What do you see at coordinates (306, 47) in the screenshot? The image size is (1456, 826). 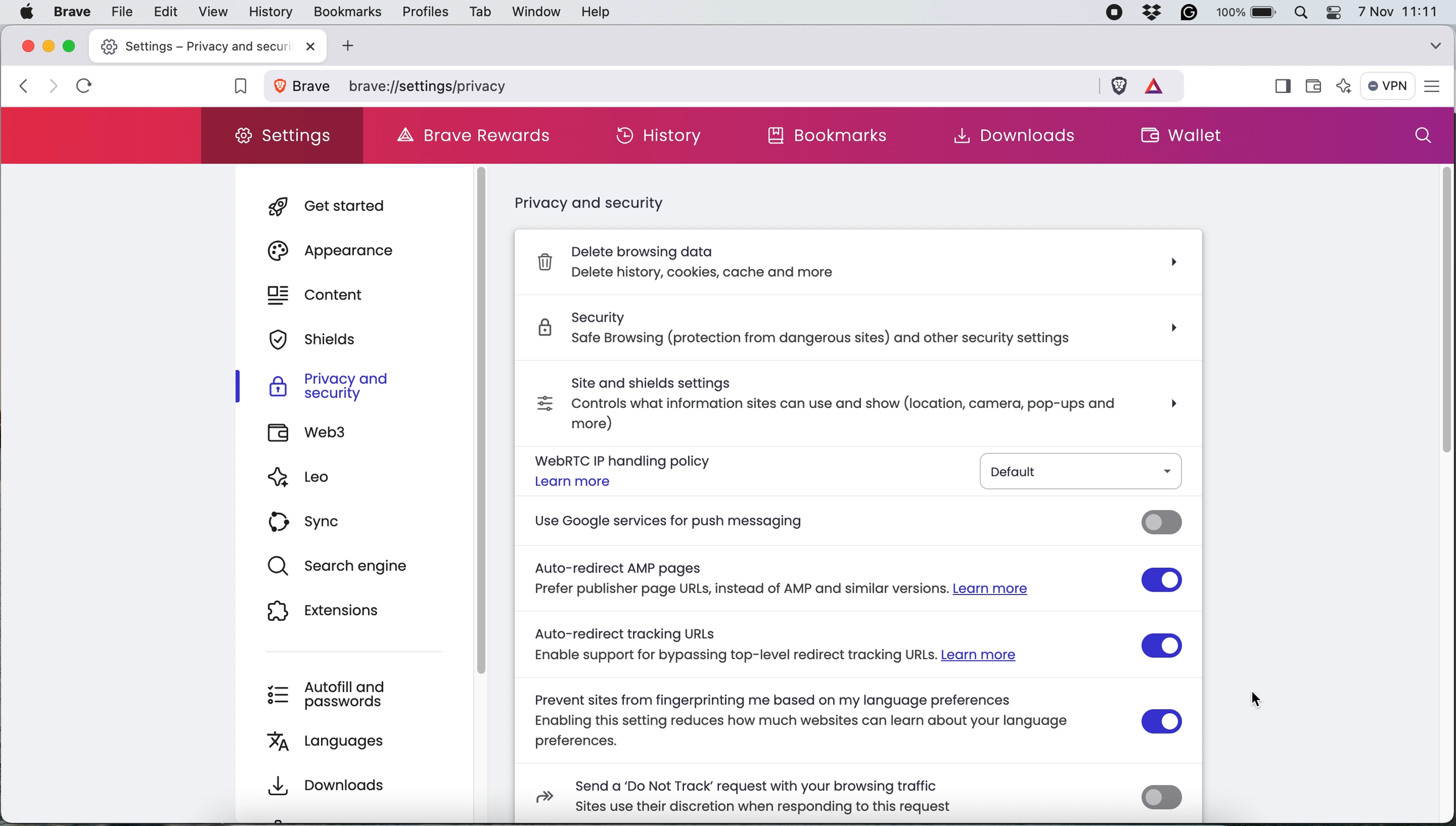 I see `close` at bounding box center [306, 47].